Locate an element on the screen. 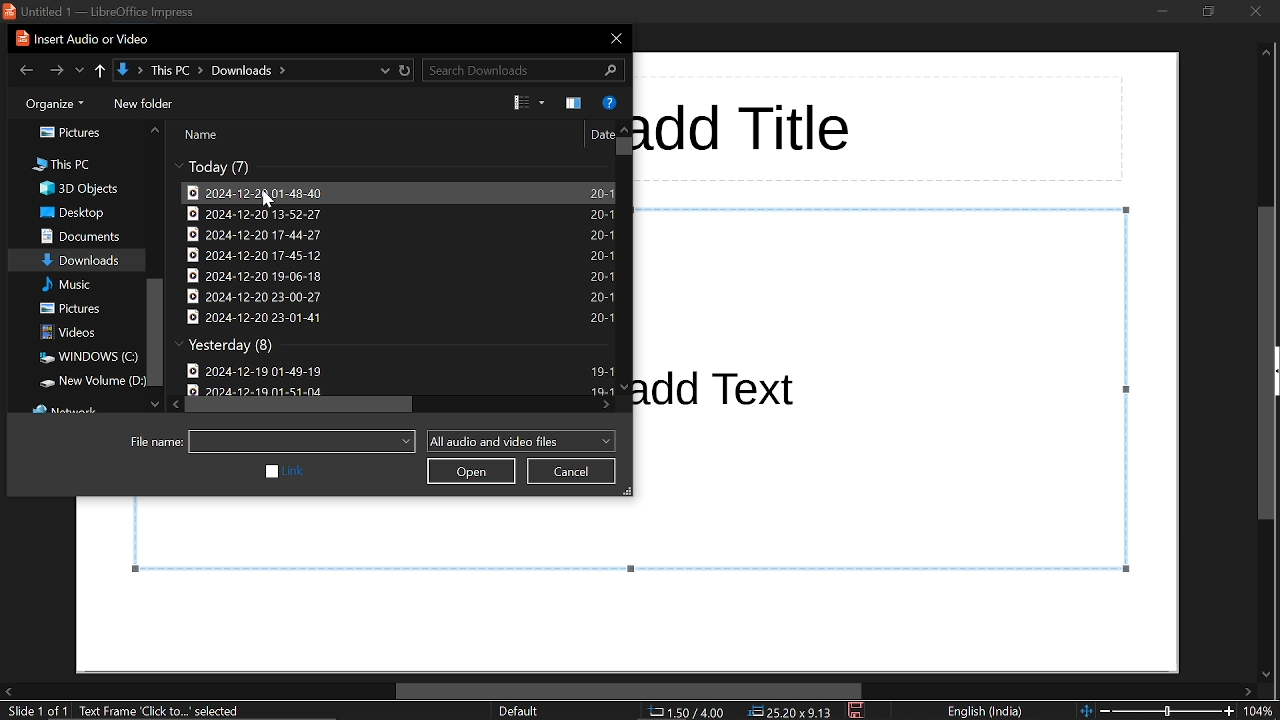  next is located at coordinates (57, 70).